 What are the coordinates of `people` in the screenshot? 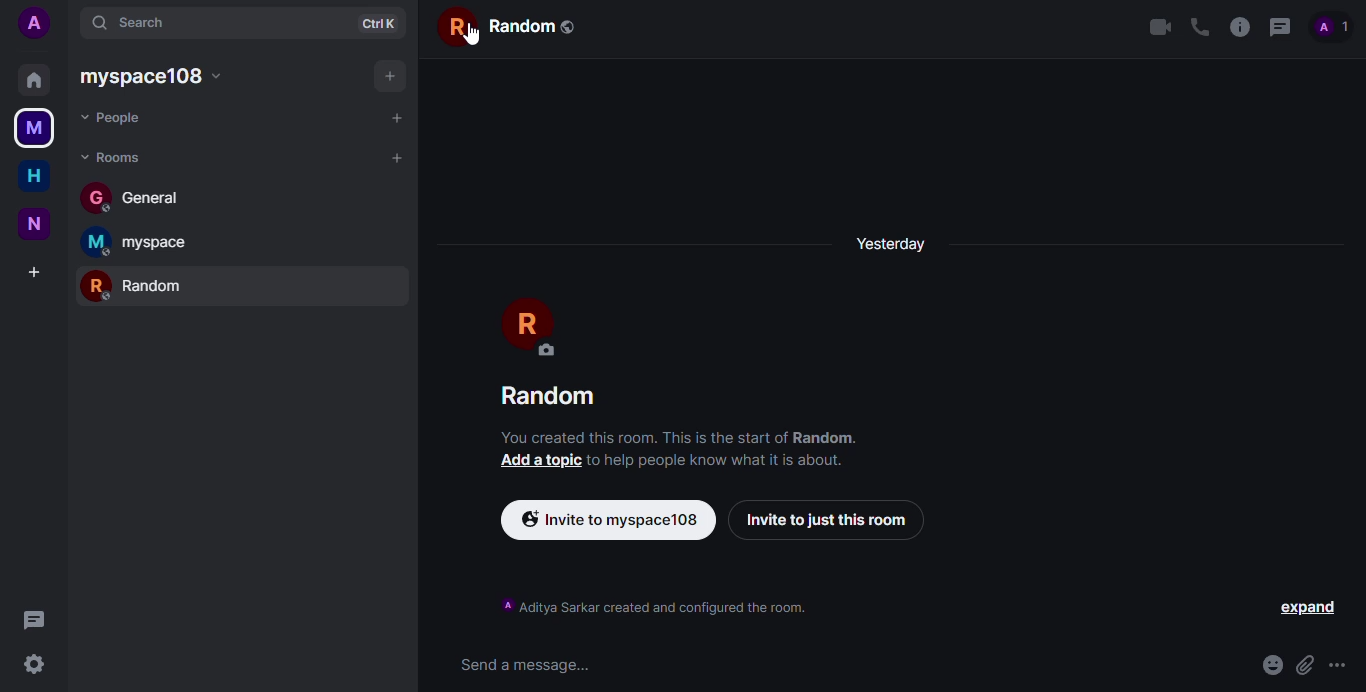 It's located at (1332, 27).